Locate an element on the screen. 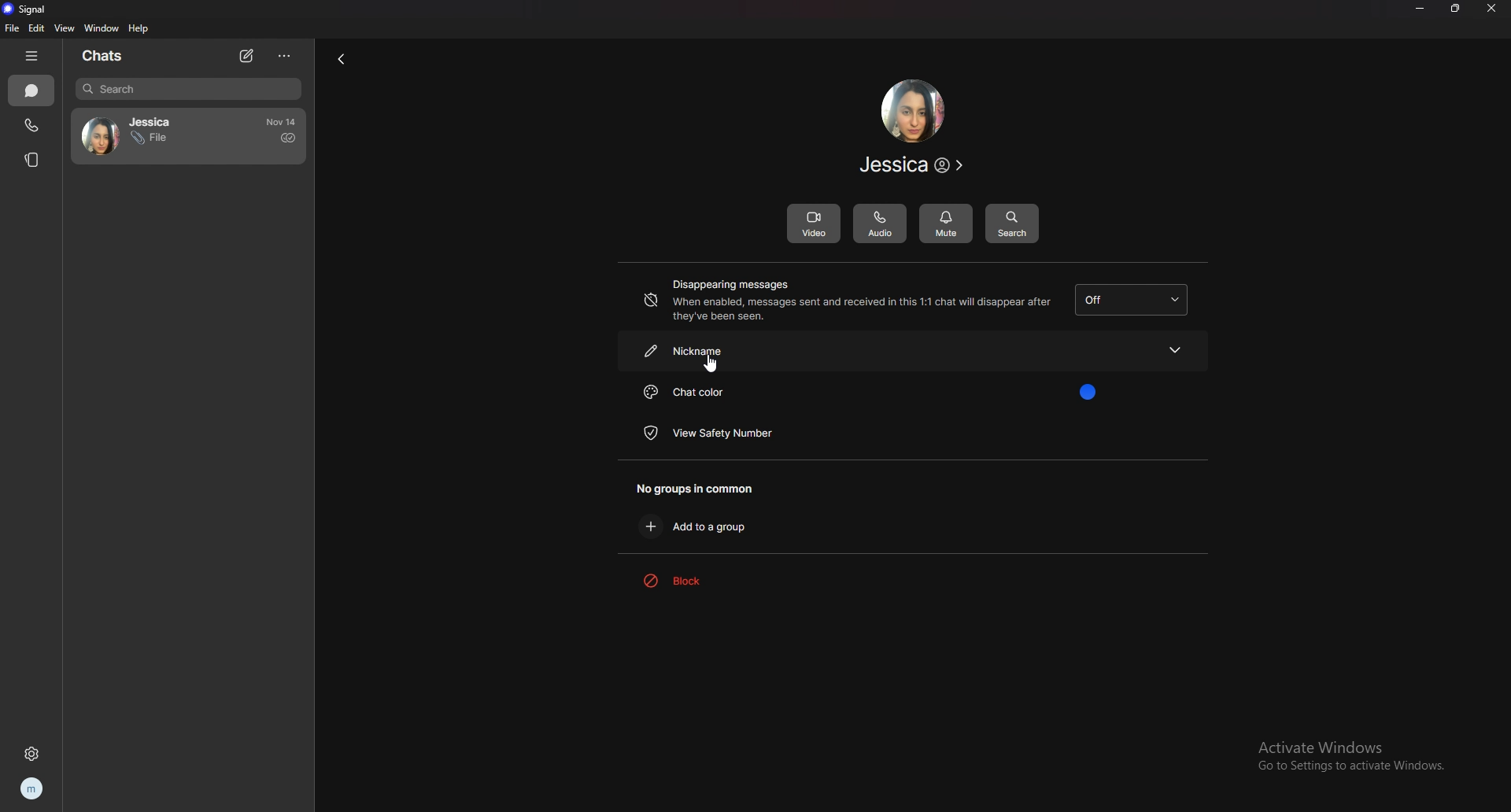 Image resolution: width=1511 pixels, height=812 pixels. nickname is located at coordinates (912, 349).